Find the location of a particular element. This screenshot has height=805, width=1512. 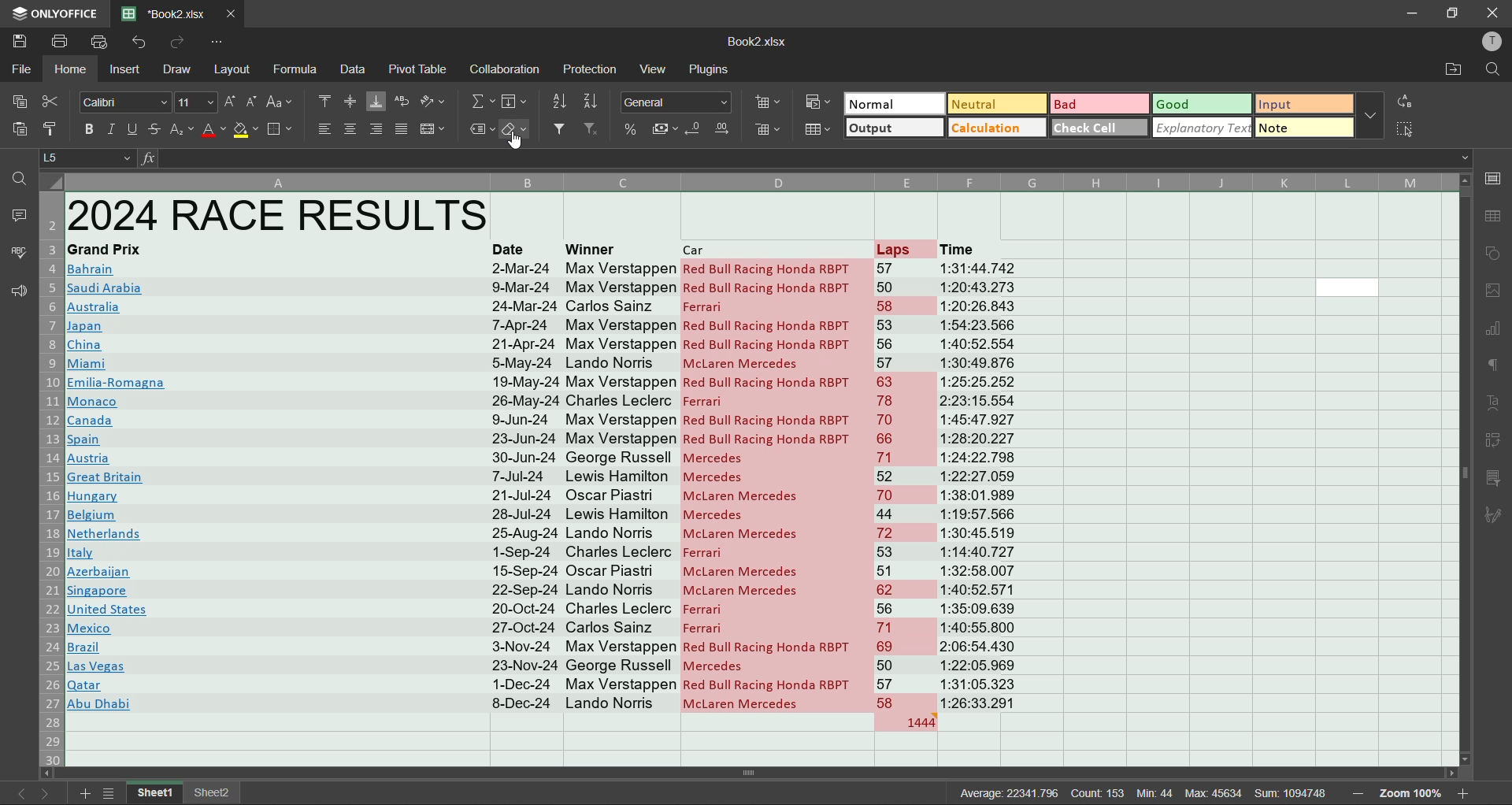

font style is located at coordinates (120, 101).